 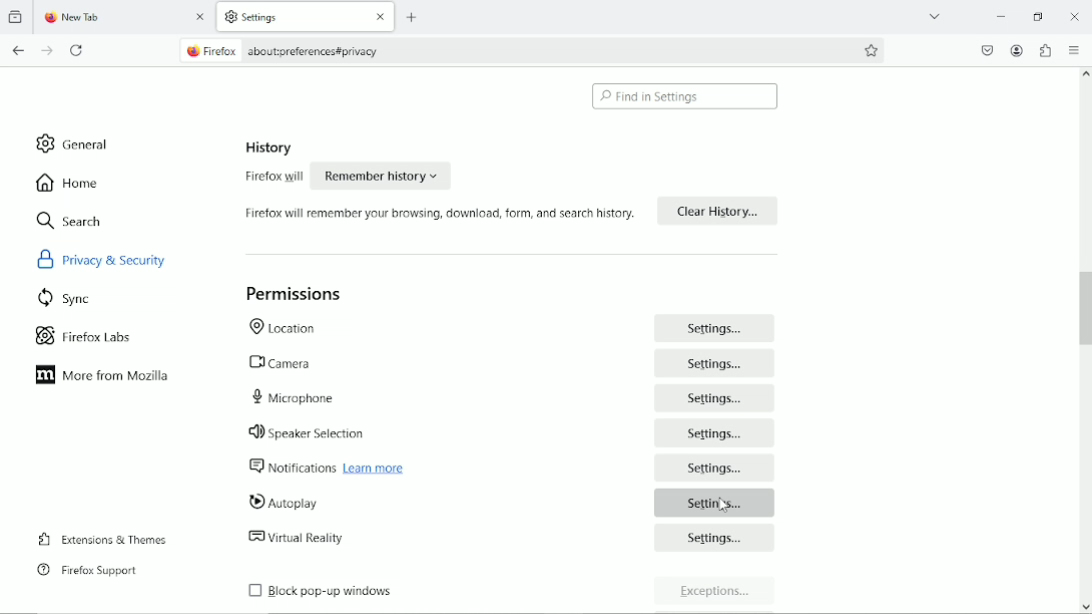 What do you see at coordinates (224, 52) in the screenshot?
I see `firefox` at bounding box center [224, 52].